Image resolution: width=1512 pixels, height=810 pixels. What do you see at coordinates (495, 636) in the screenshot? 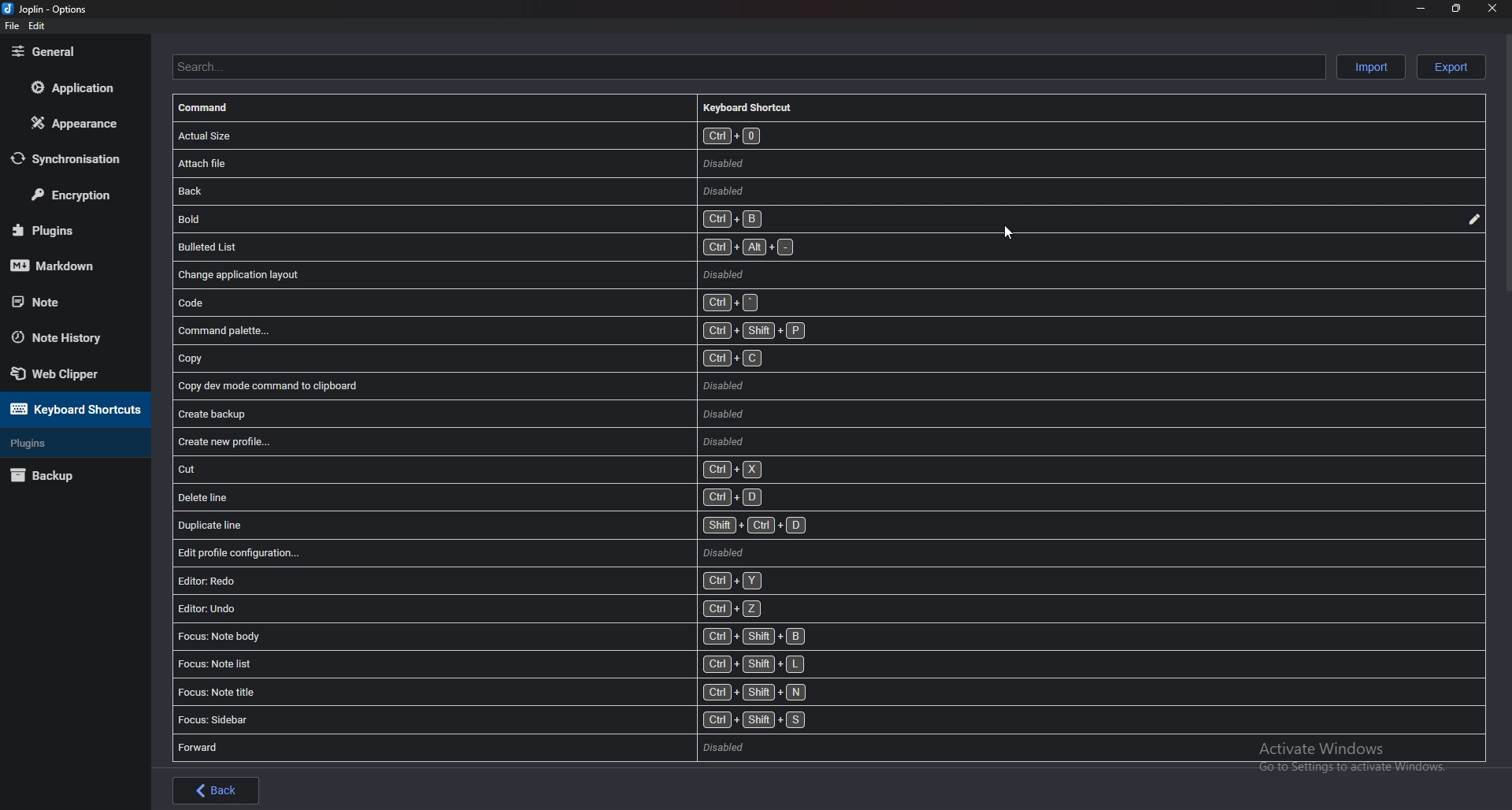
I see `Focus note body` at bounding box center [495, 636].